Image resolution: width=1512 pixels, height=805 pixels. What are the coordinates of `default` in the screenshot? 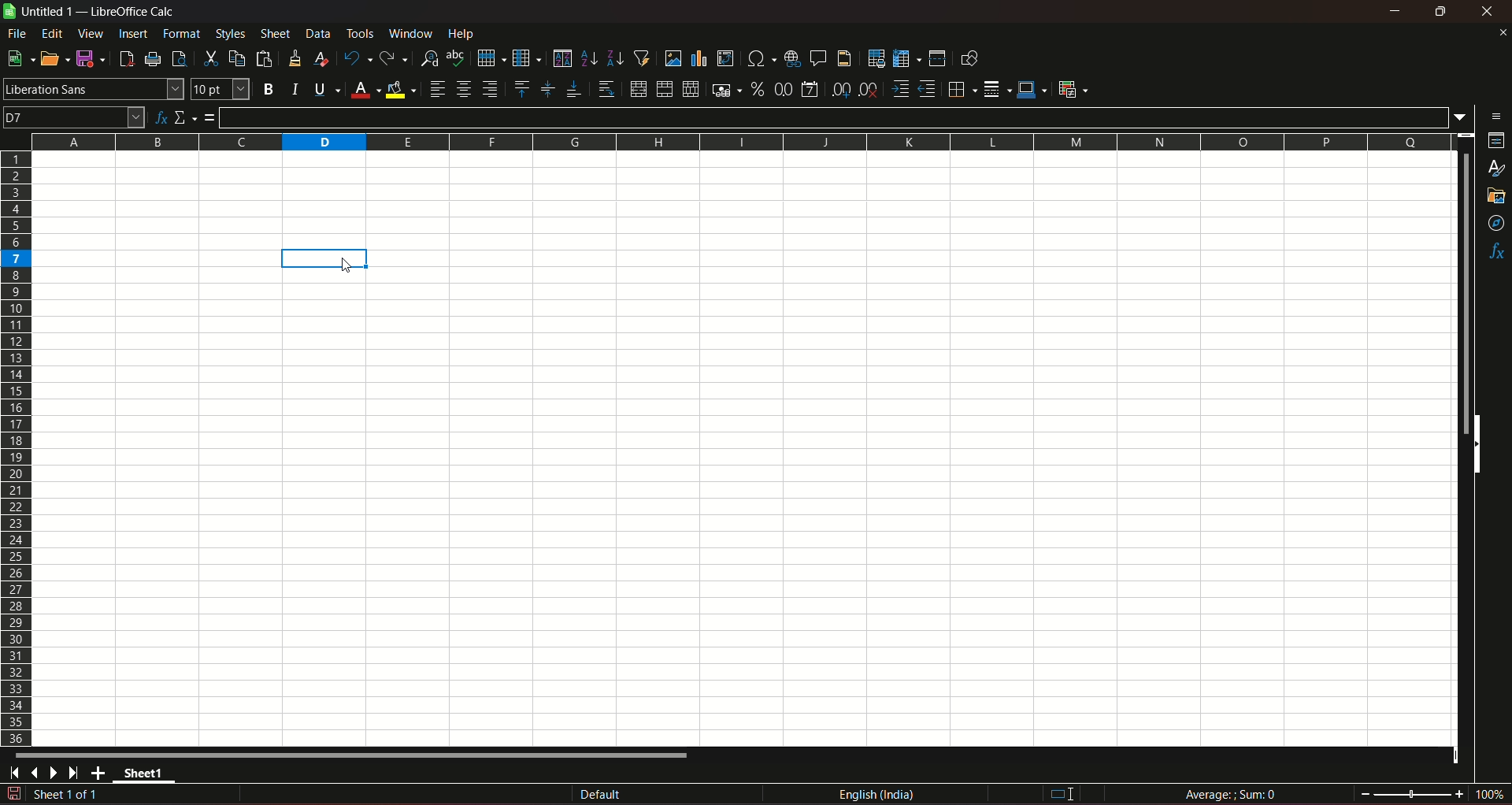 It's located at (601, 796).